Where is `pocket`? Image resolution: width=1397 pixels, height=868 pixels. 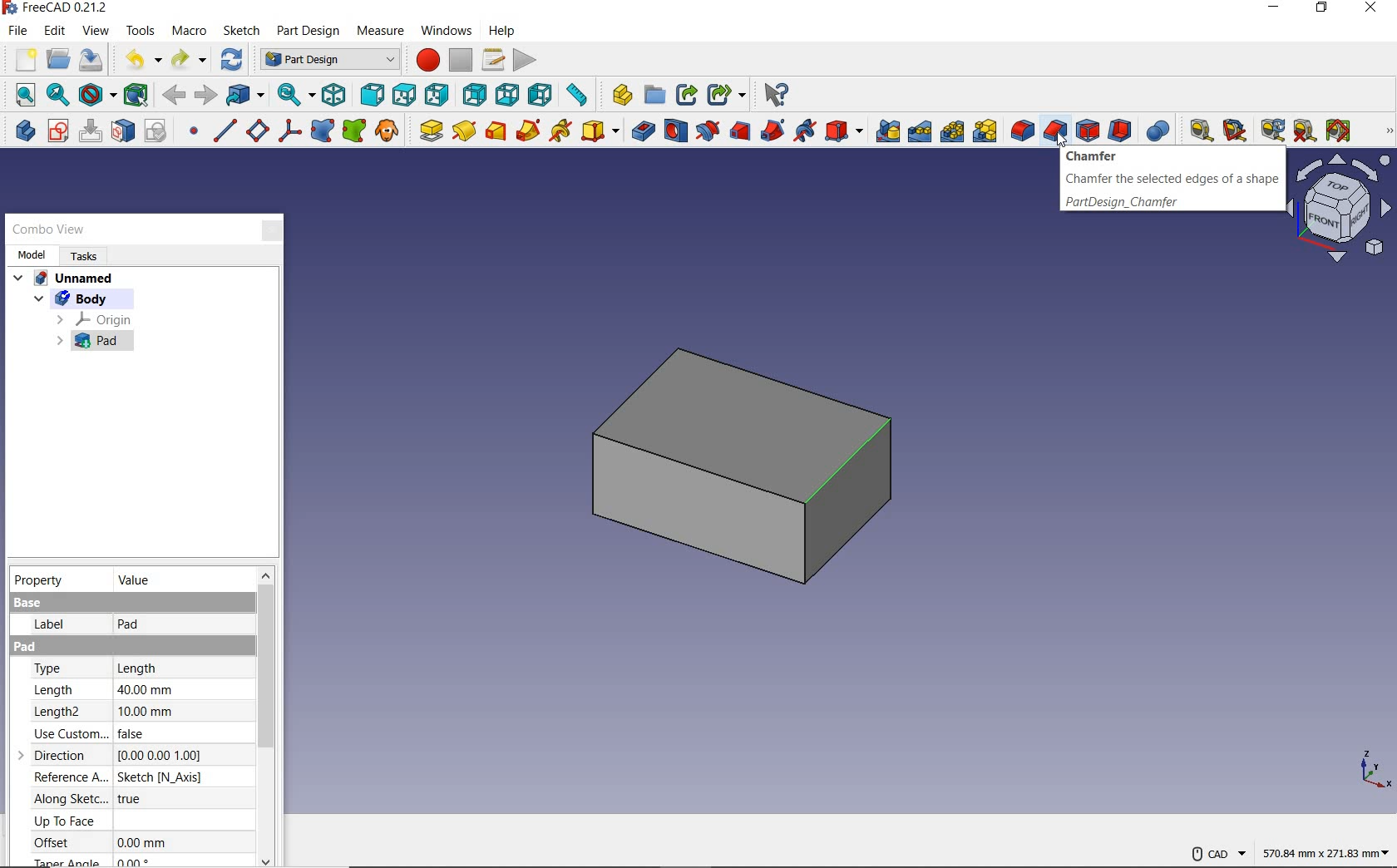 pocket is located at coordinates (640, 131).